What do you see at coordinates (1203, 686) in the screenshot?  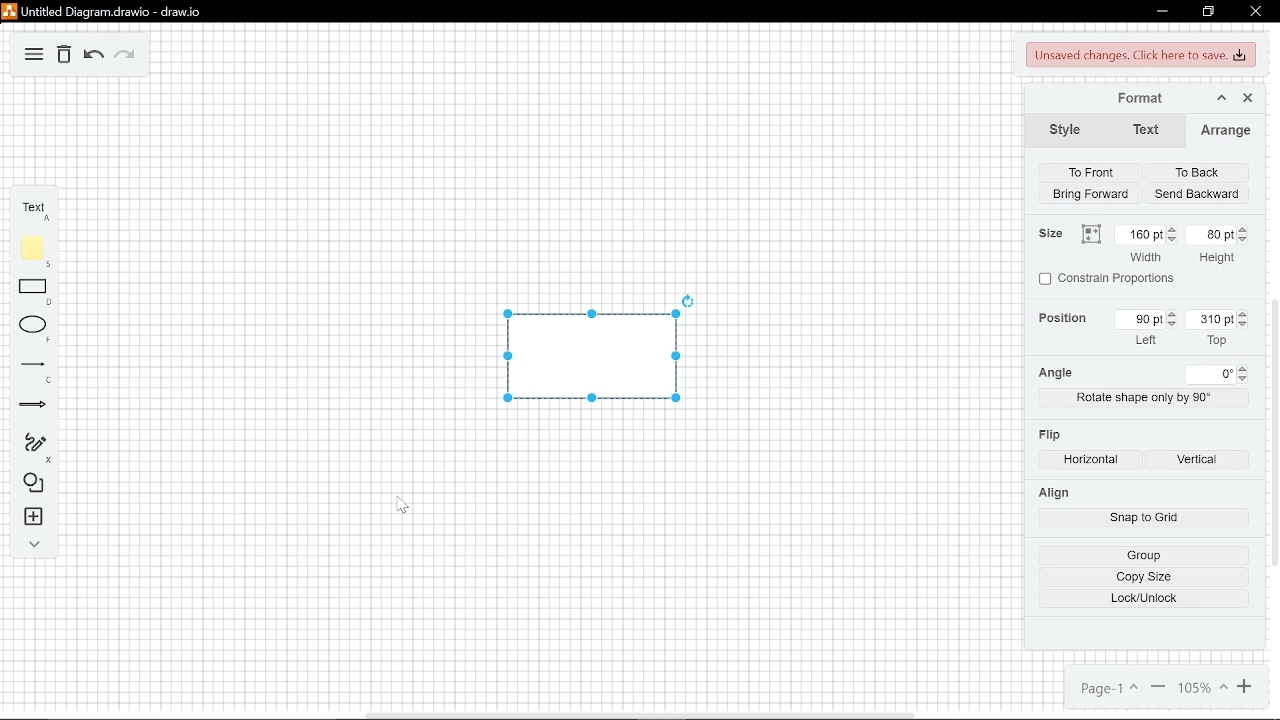 I see `zoom in` at bounding box center [1203, 686].